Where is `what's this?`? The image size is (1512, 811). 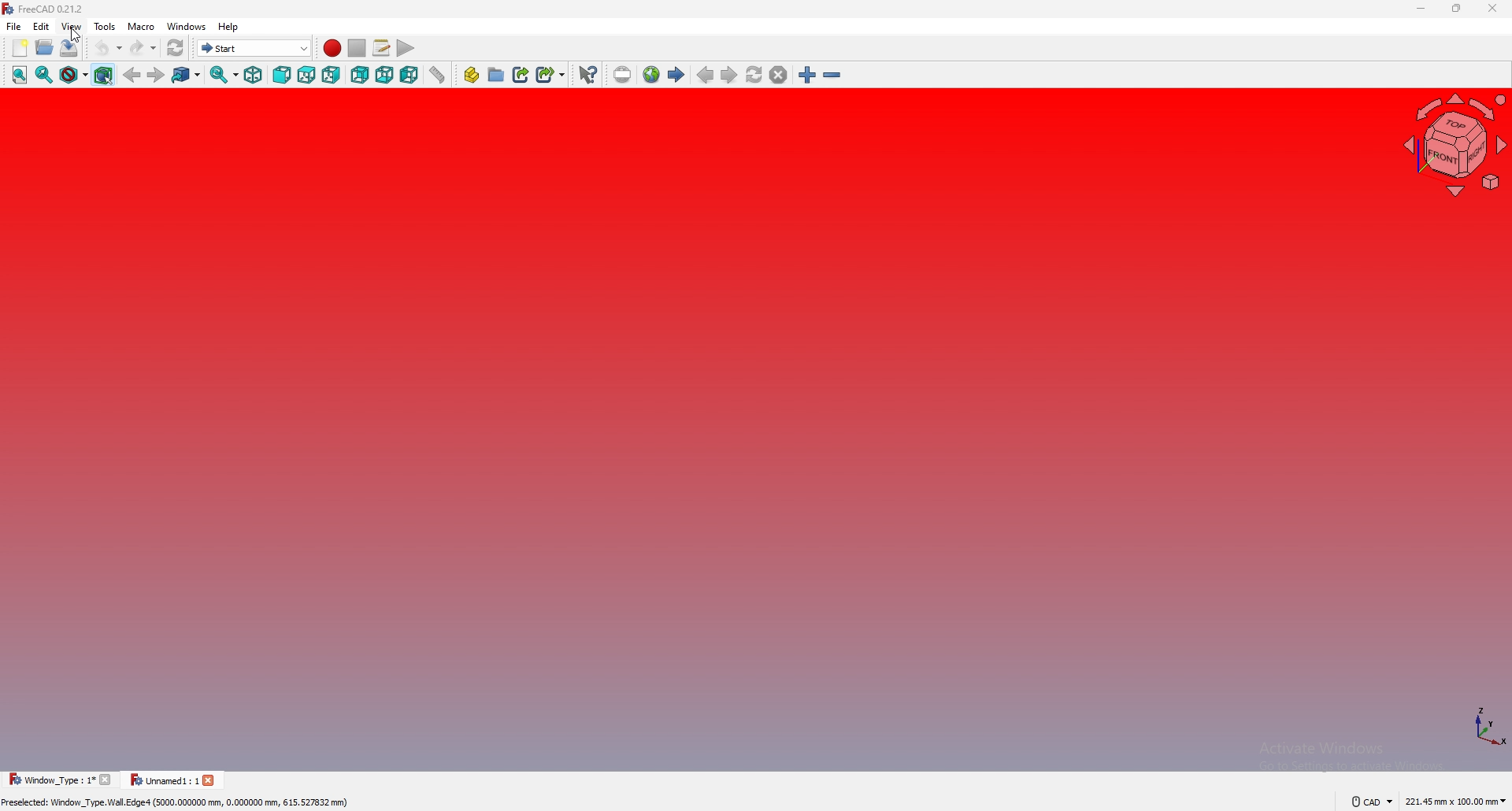
what's this? is located at coordinates (587, 74).